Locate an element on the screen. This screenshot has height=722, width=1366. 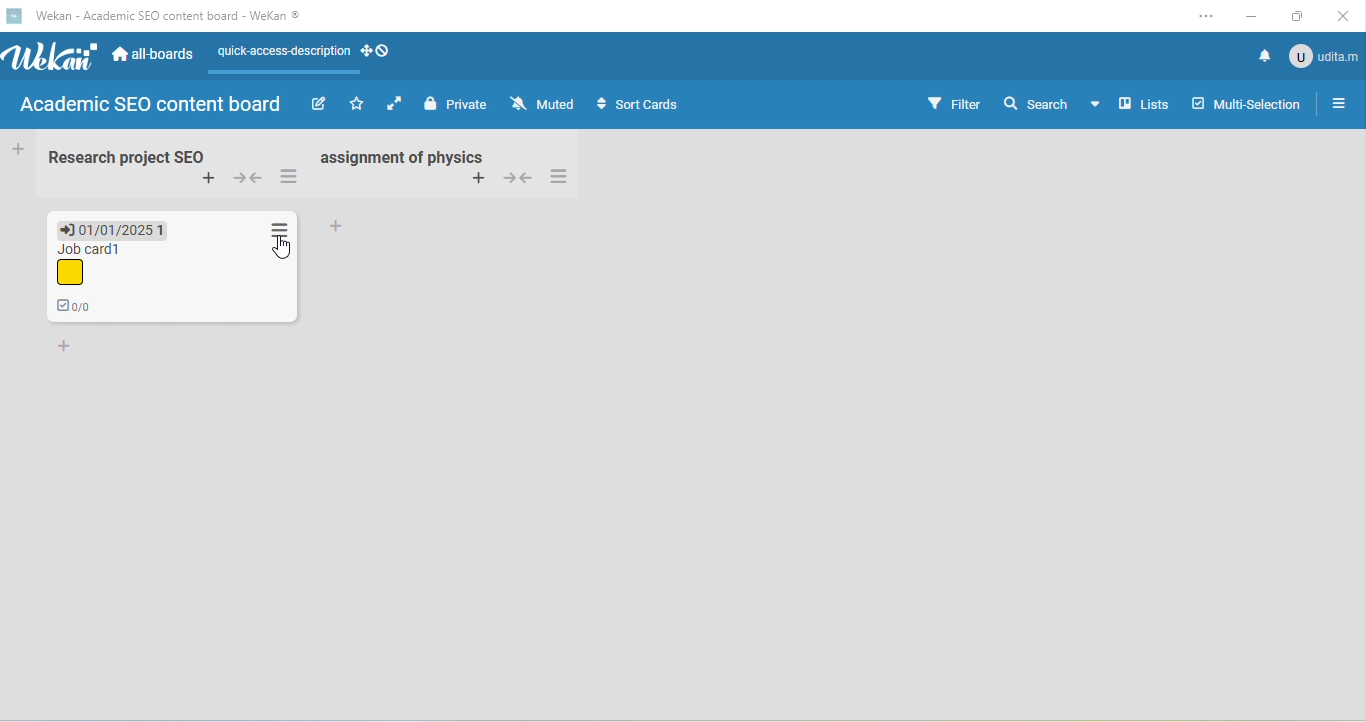
cursor is located at coordinates (285, 250).